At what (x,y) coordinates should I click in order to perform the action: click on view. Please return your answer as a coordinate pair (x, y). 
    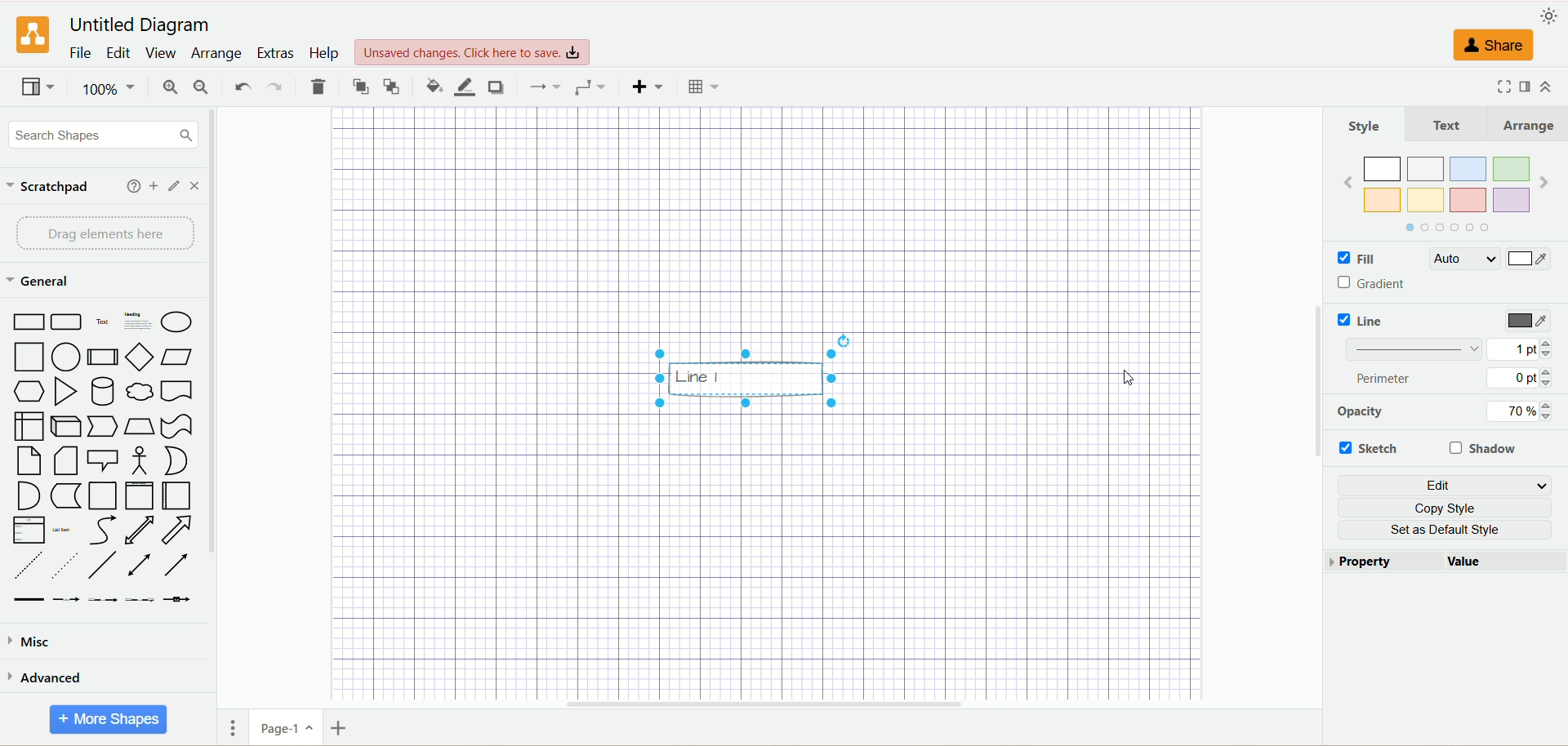
    Looking at the image, I should click on (161, 53).